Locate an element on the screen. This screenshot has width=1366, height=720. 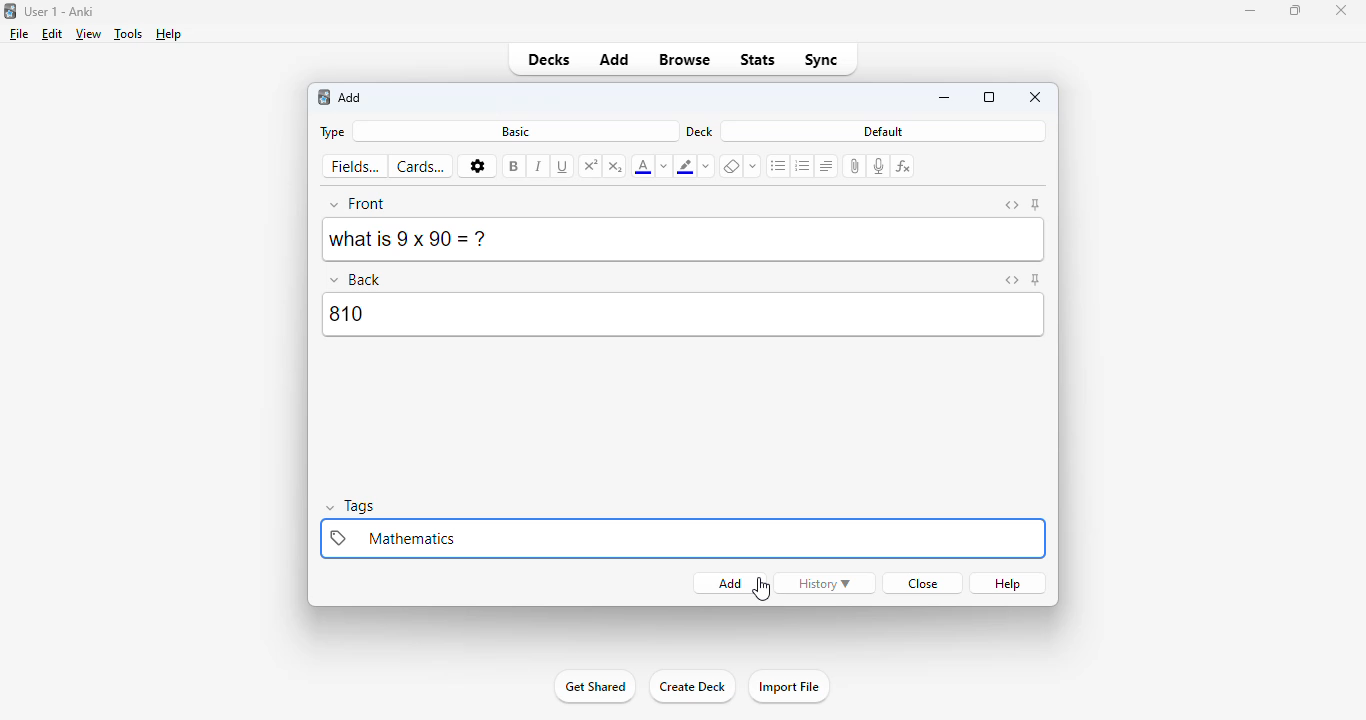
equations is located at coordinates (905, 166).